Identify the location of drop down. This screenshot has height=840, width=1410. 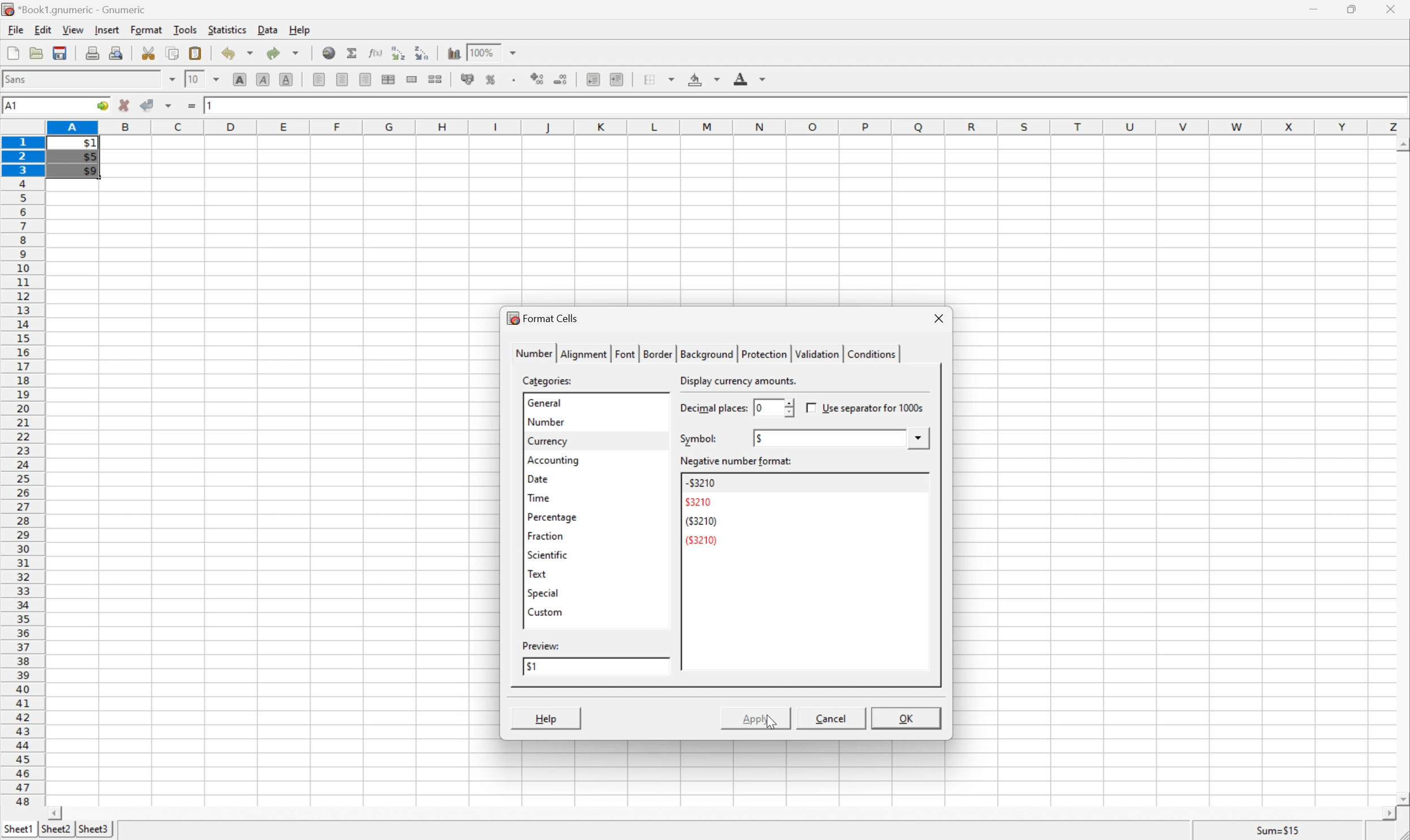
(220, 79).